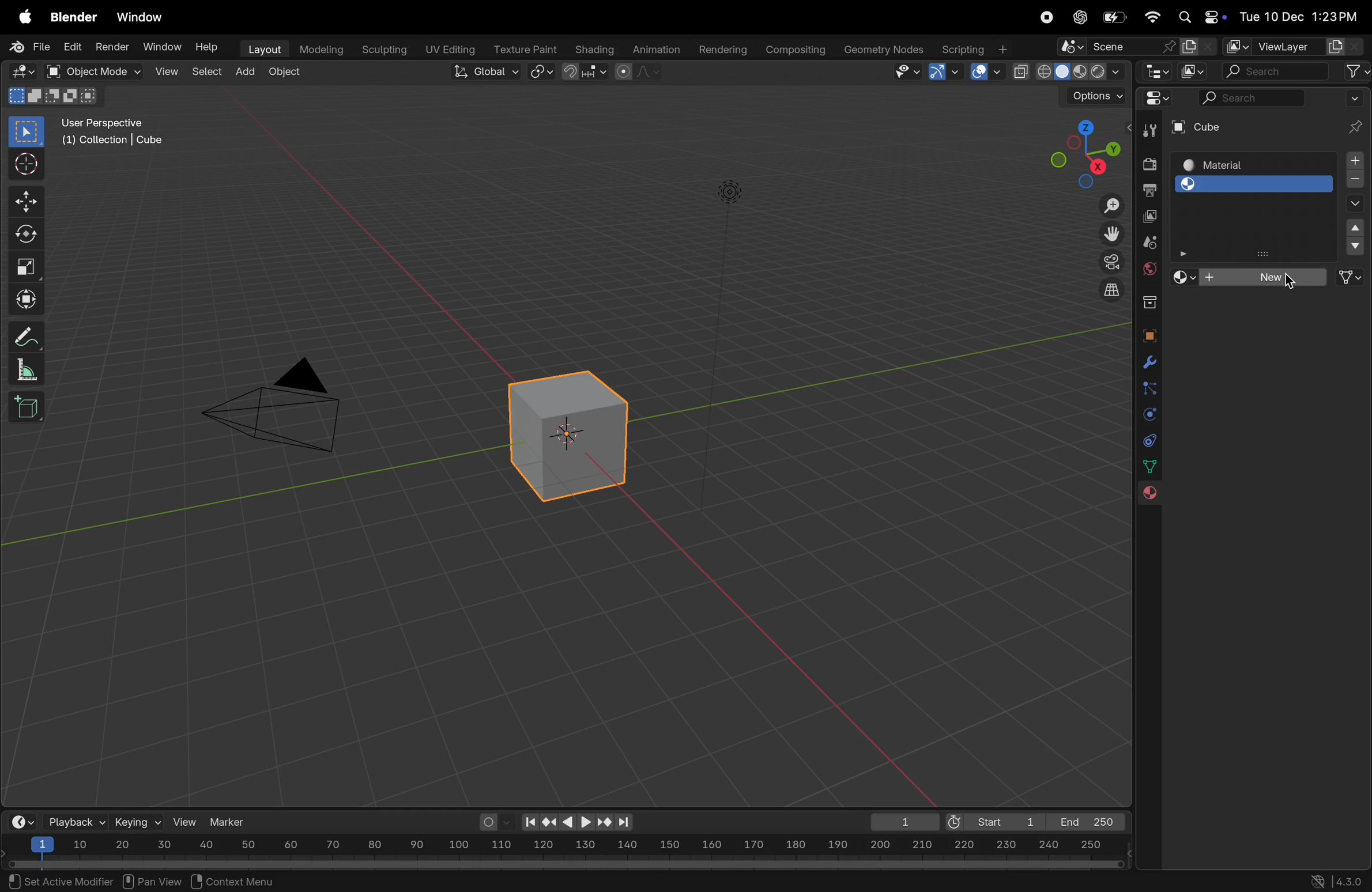 This screenshot has width=1372, height=892. I want to click on View, so click(165, 71).